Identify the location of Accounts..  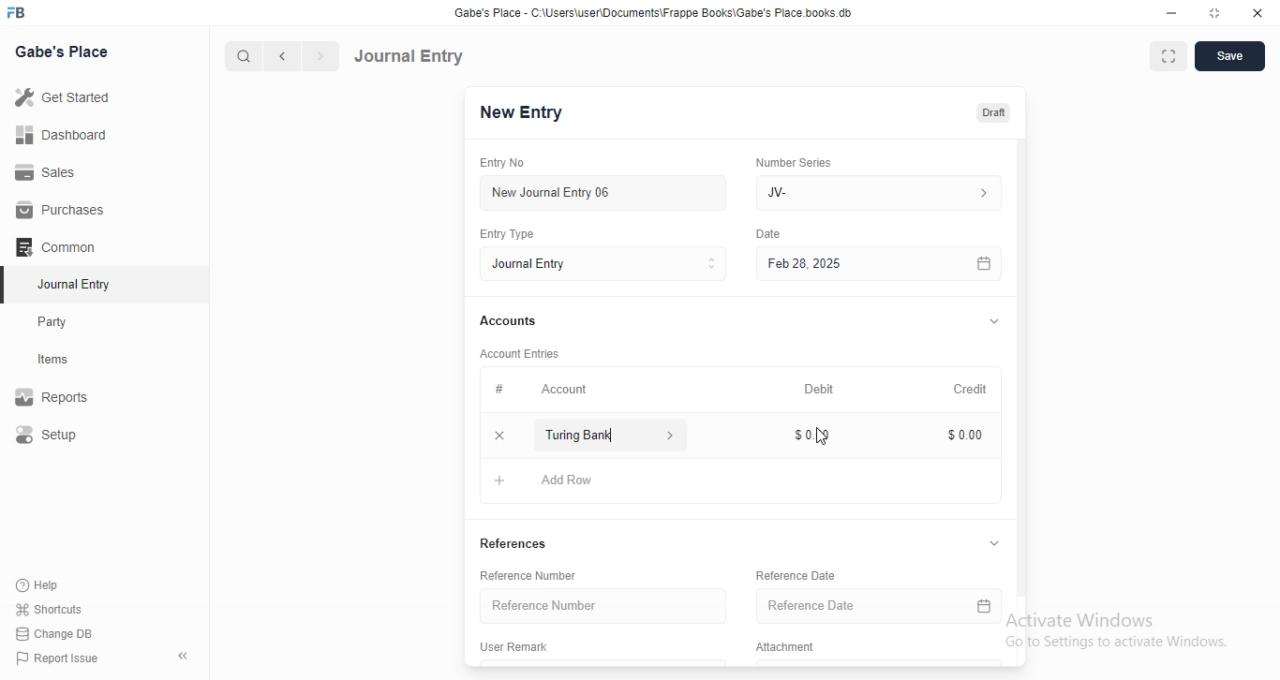
(518, 322).